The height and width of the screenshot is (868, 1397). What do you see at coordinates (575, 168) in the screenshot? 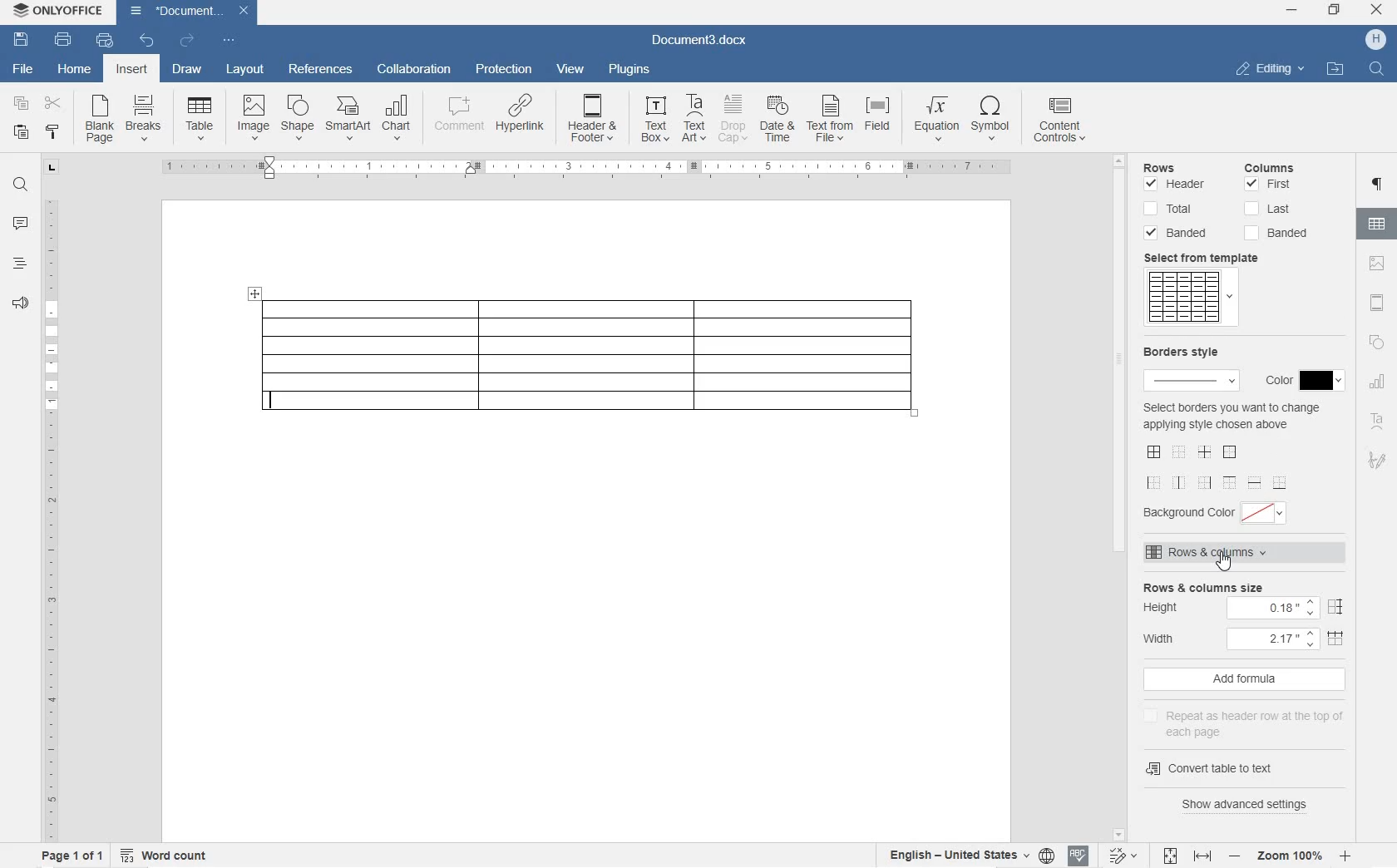
I see `RULER` at bounding box center [575, 168].